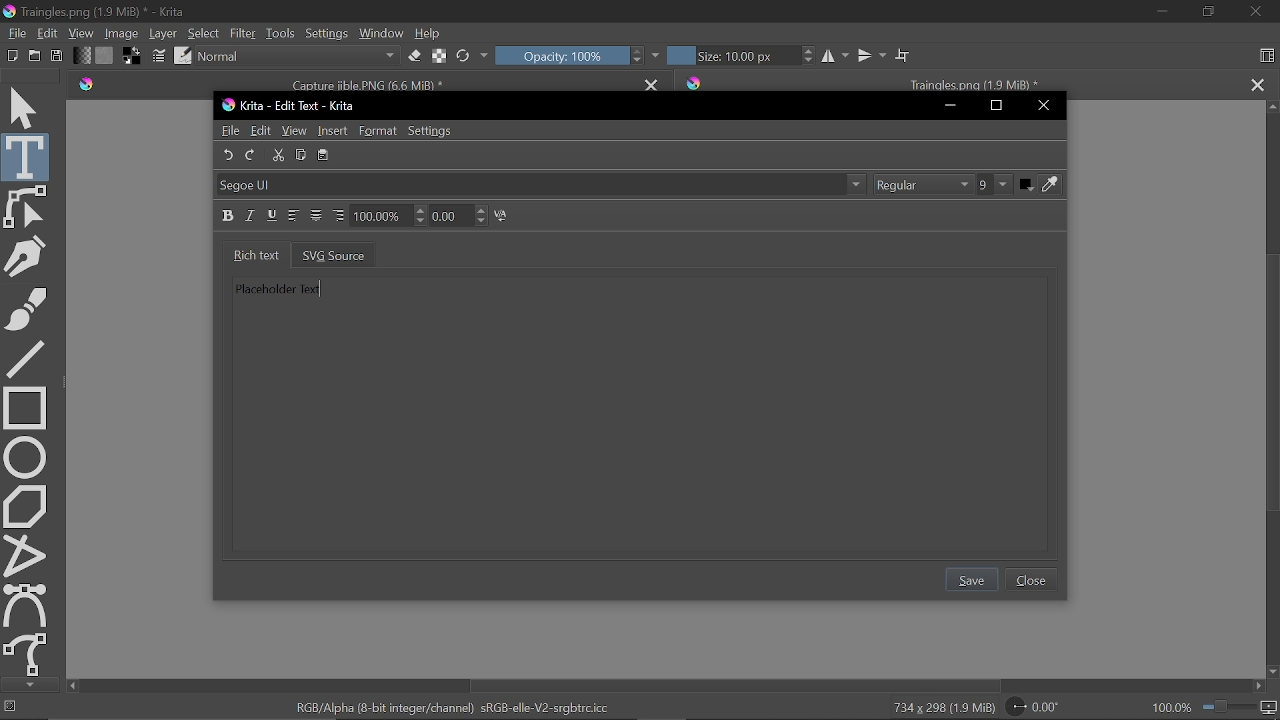 This screenshot has width=1280, height=720. Describe the element at coordinates (49, 32) in the screenshot. I see `Edit` at that location.